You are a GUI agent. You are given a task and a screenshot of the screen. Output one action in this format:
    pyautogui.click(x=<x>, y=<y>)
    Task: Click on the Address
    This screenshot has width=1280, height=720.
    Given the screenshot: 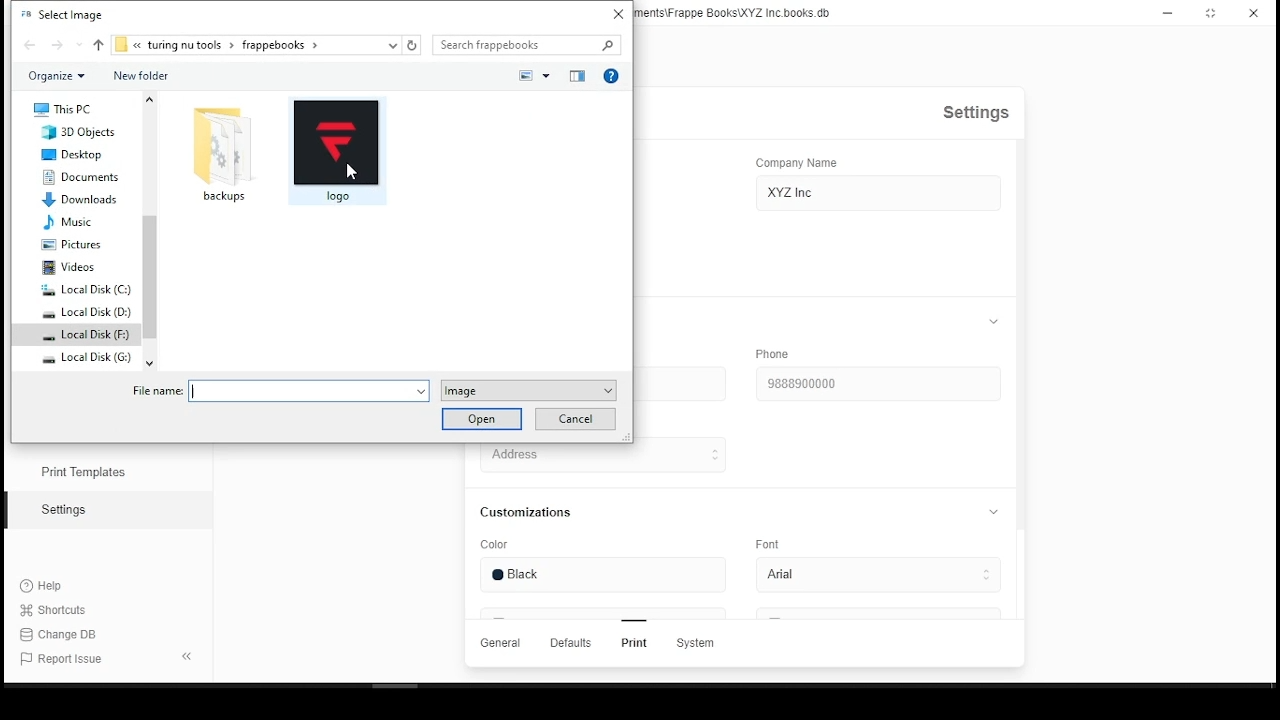 What is the action you would take?
    pyautogui.click(x=546, y=455)
    